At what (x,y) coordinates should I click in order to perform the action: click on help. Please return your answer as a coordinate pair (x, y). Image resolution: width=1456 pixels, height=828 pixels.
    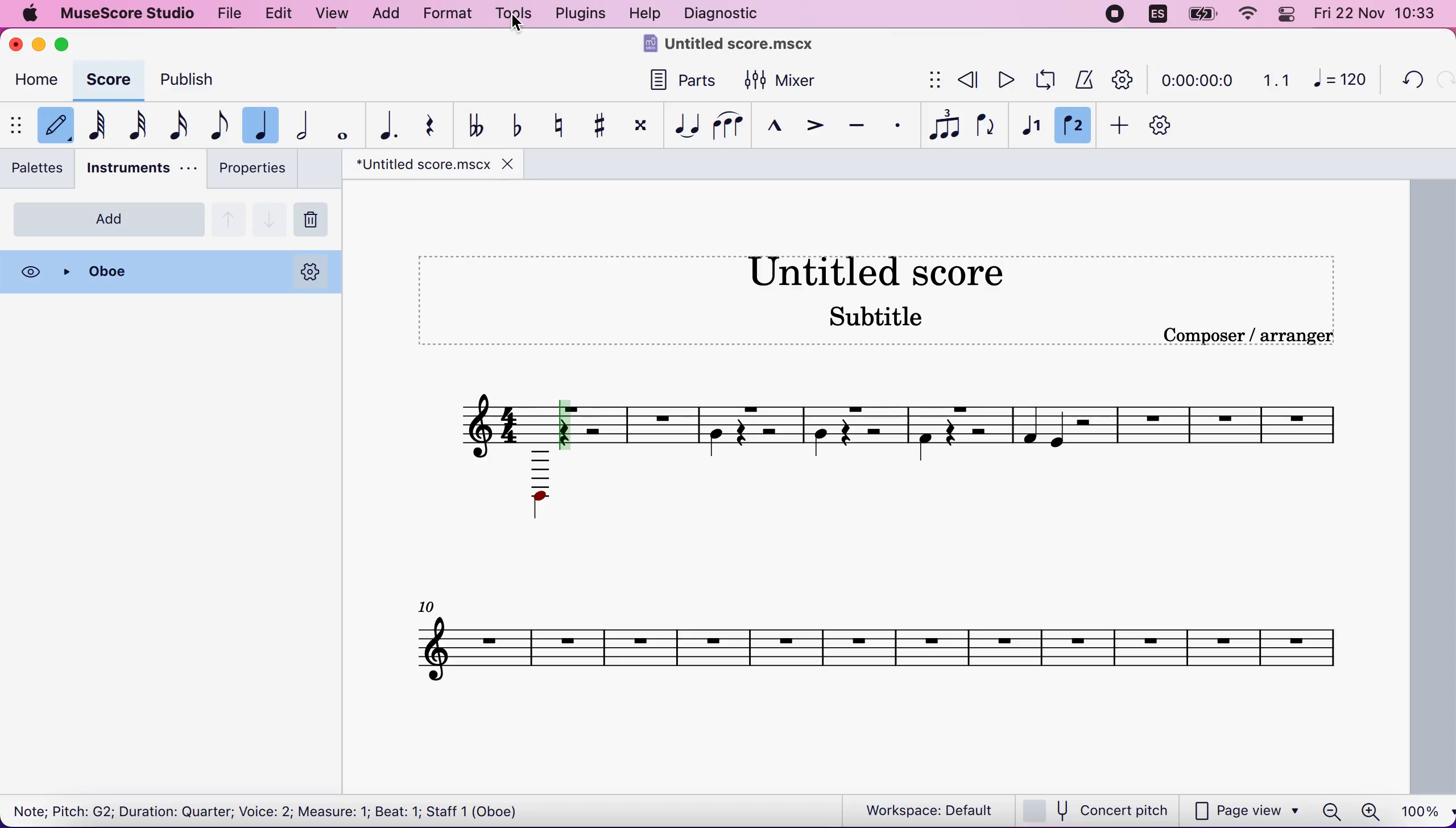
    Looking at the image, I should click on (647, 13).